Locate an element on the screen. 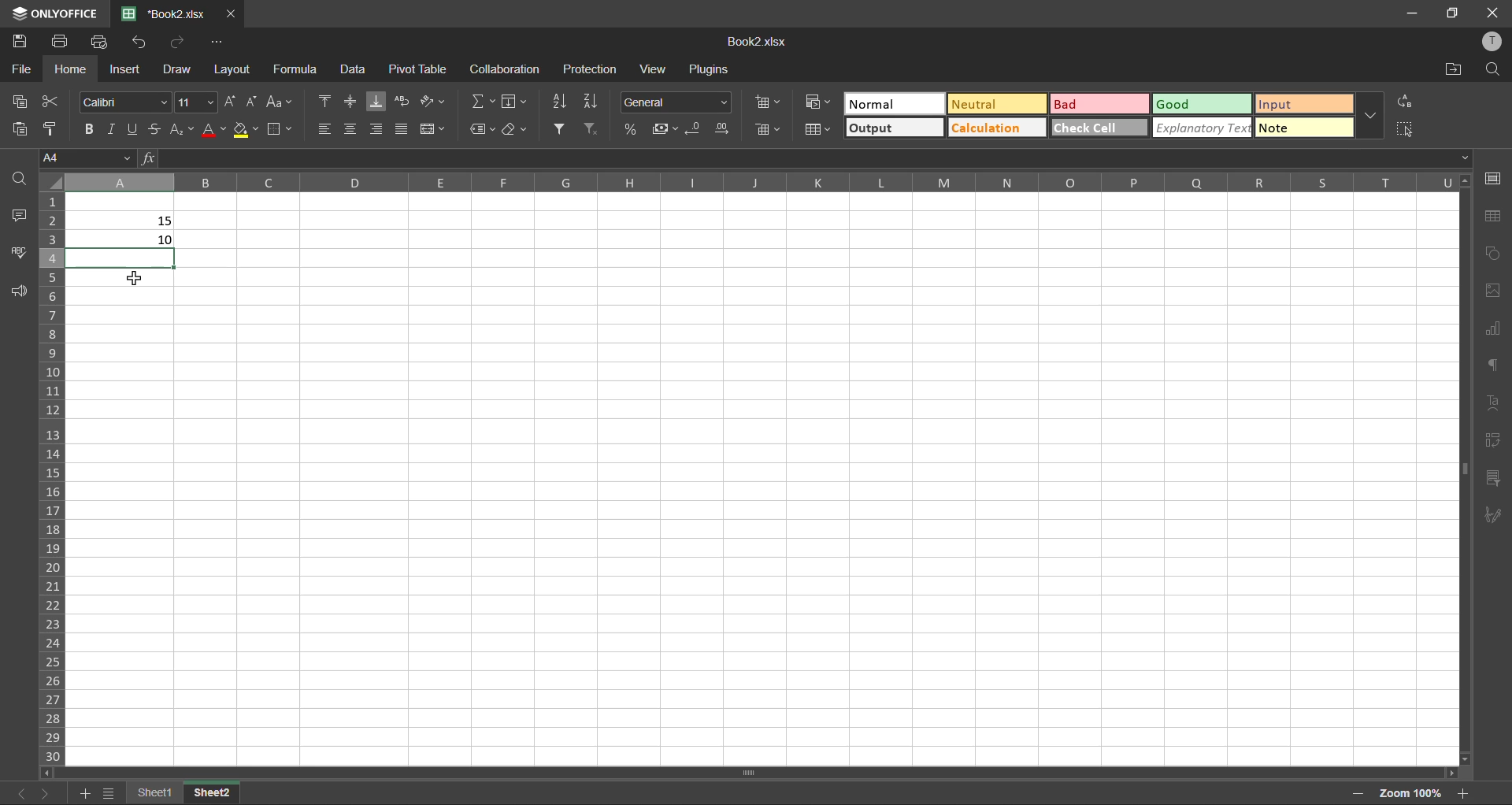  percent is located at coordinates (636, 128).